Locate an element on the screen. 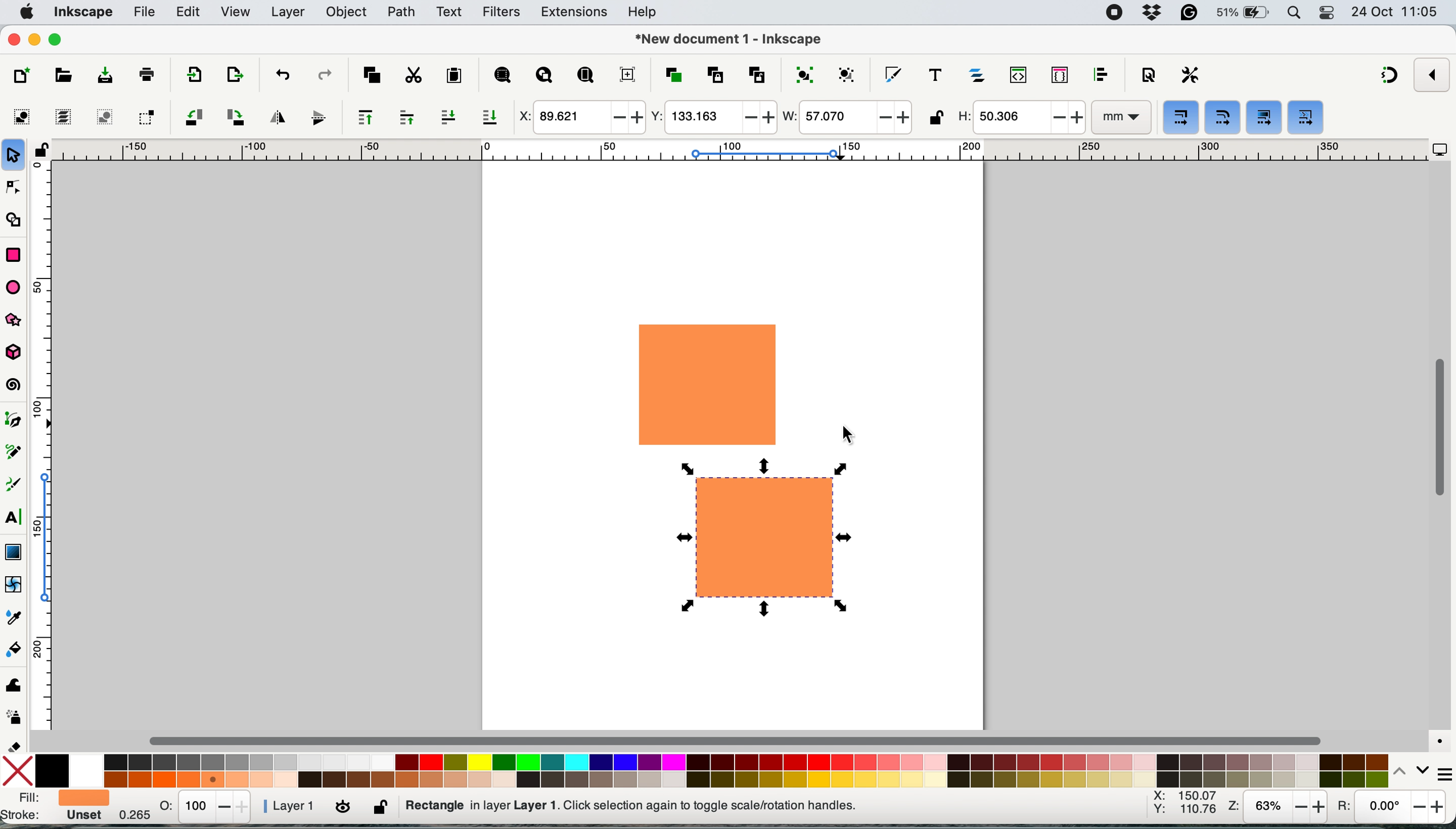  align and distribute is located at coordinates (1101, 75).